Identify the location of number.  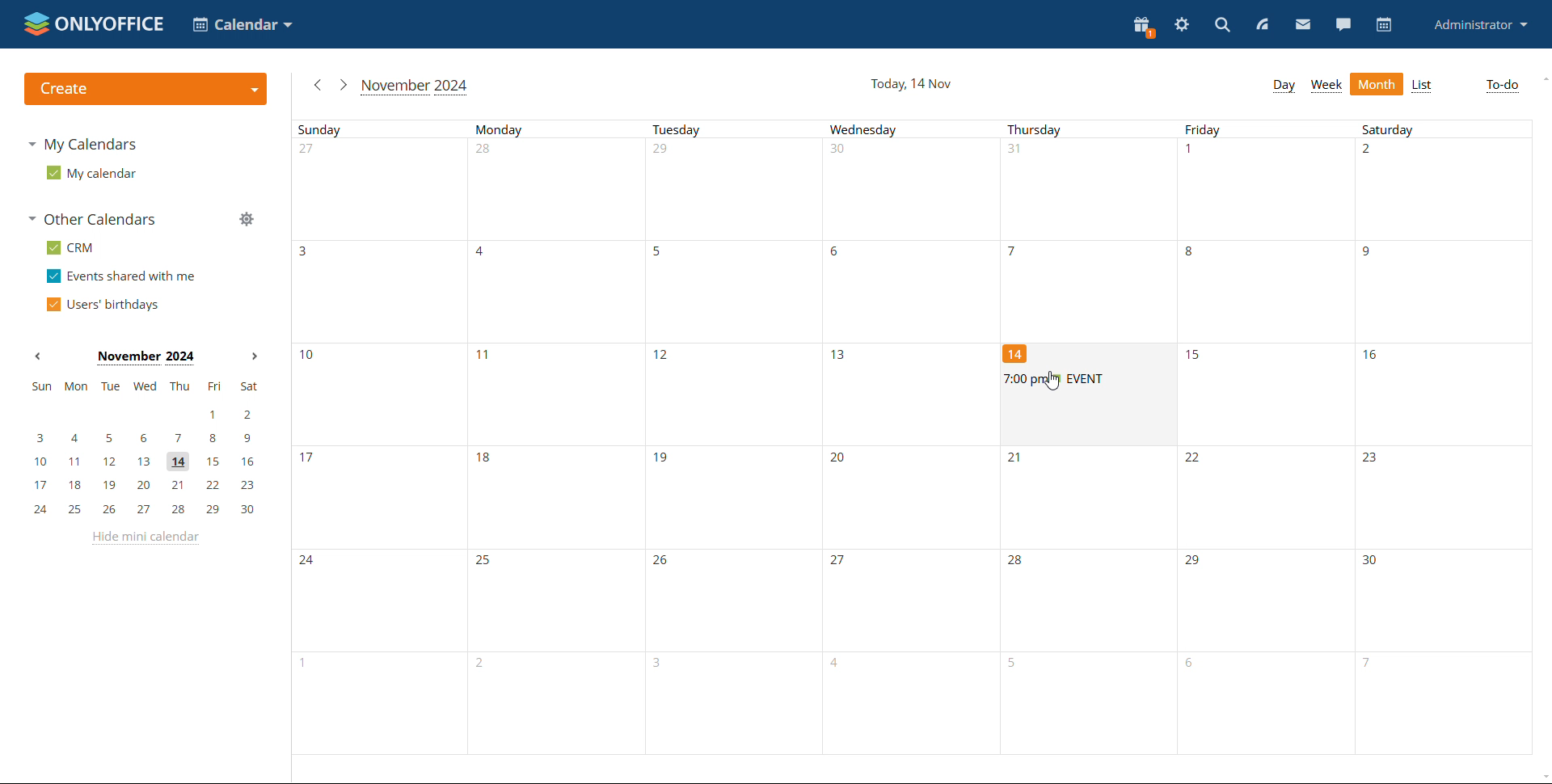
(1197, 461).